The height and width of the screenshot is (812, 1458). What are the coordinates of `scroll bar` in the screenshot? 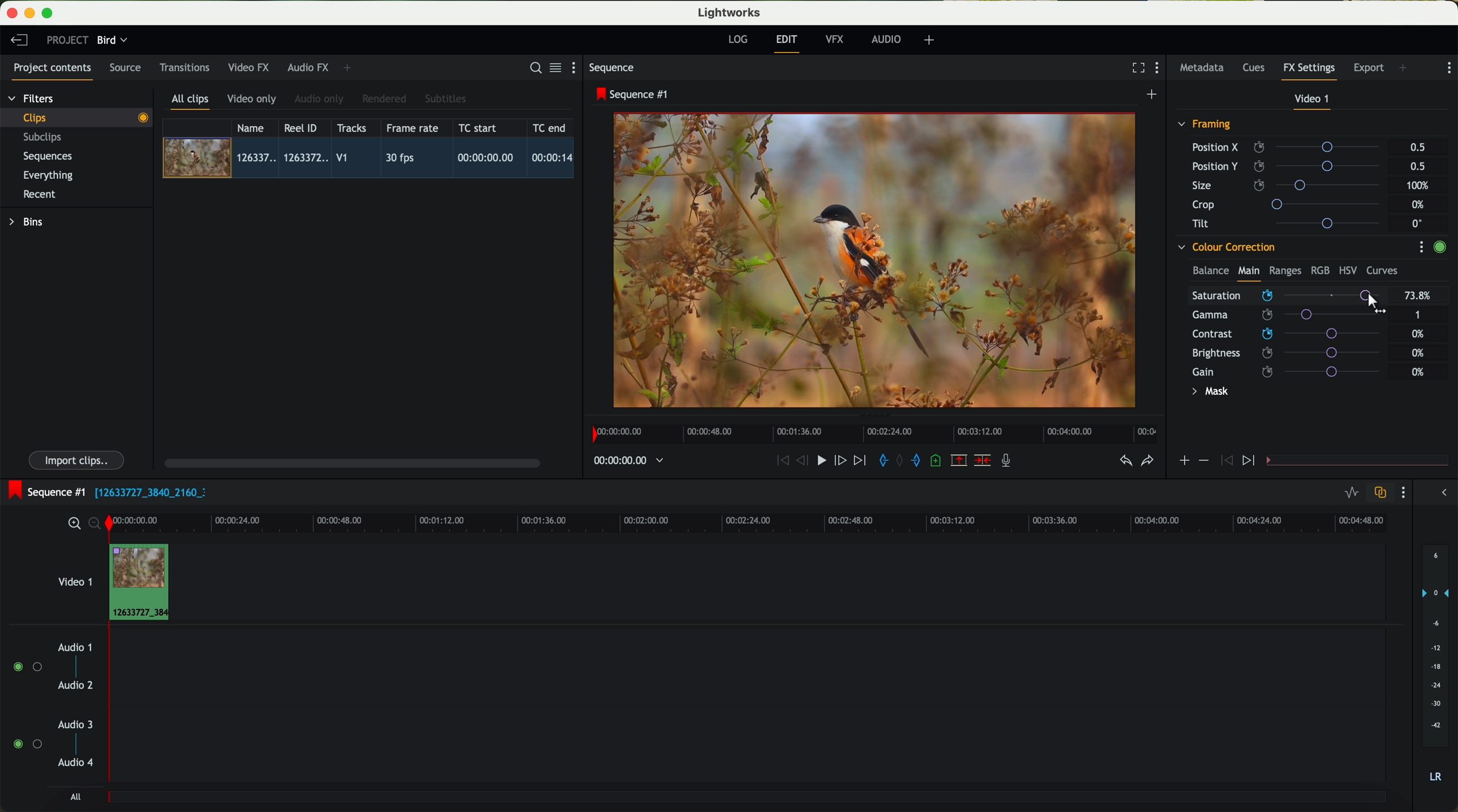 It's located at (351, 462).